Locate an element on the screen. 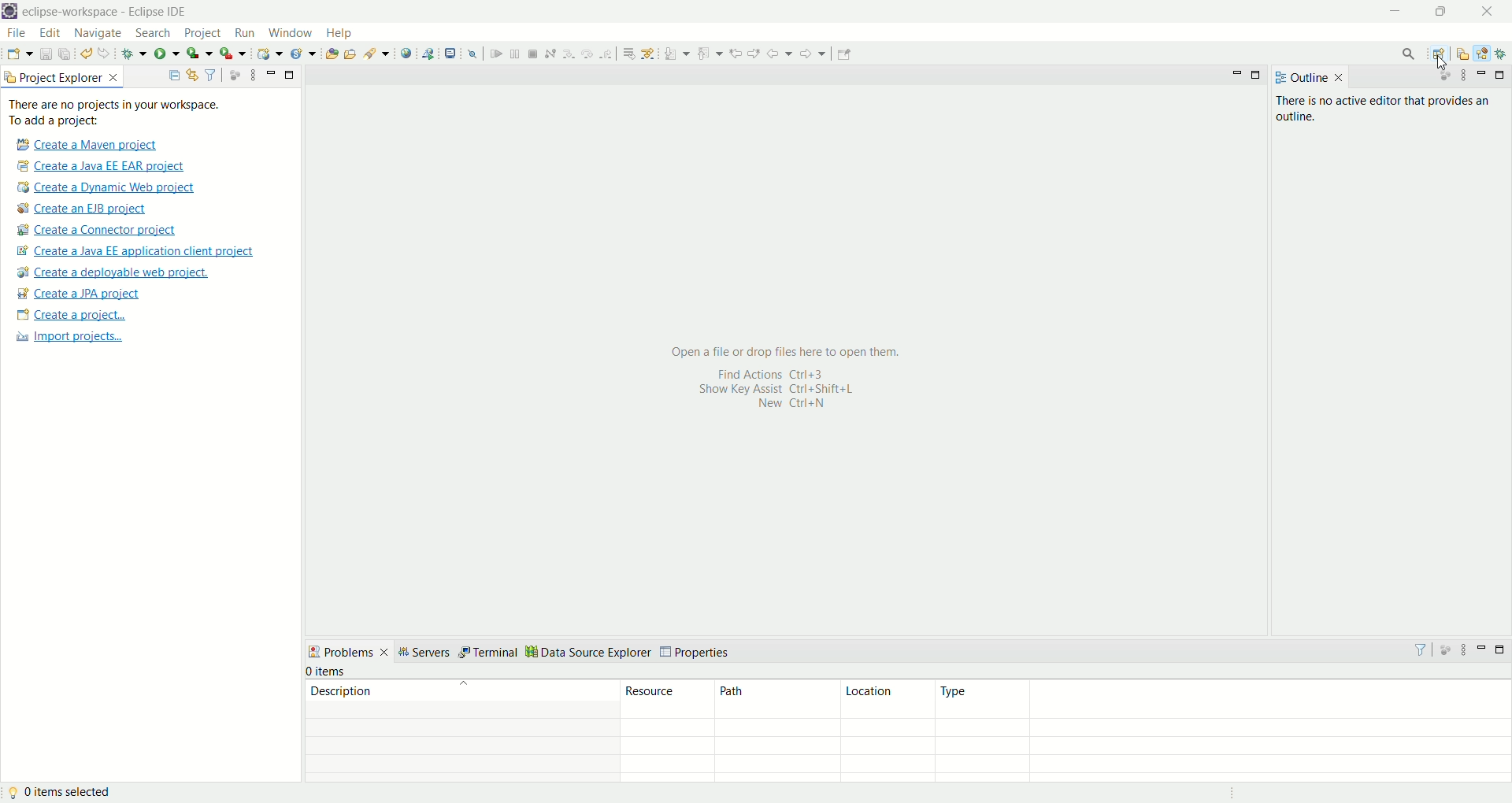 The image size is (1512, 803). step into is located at coordinates (568, 54).